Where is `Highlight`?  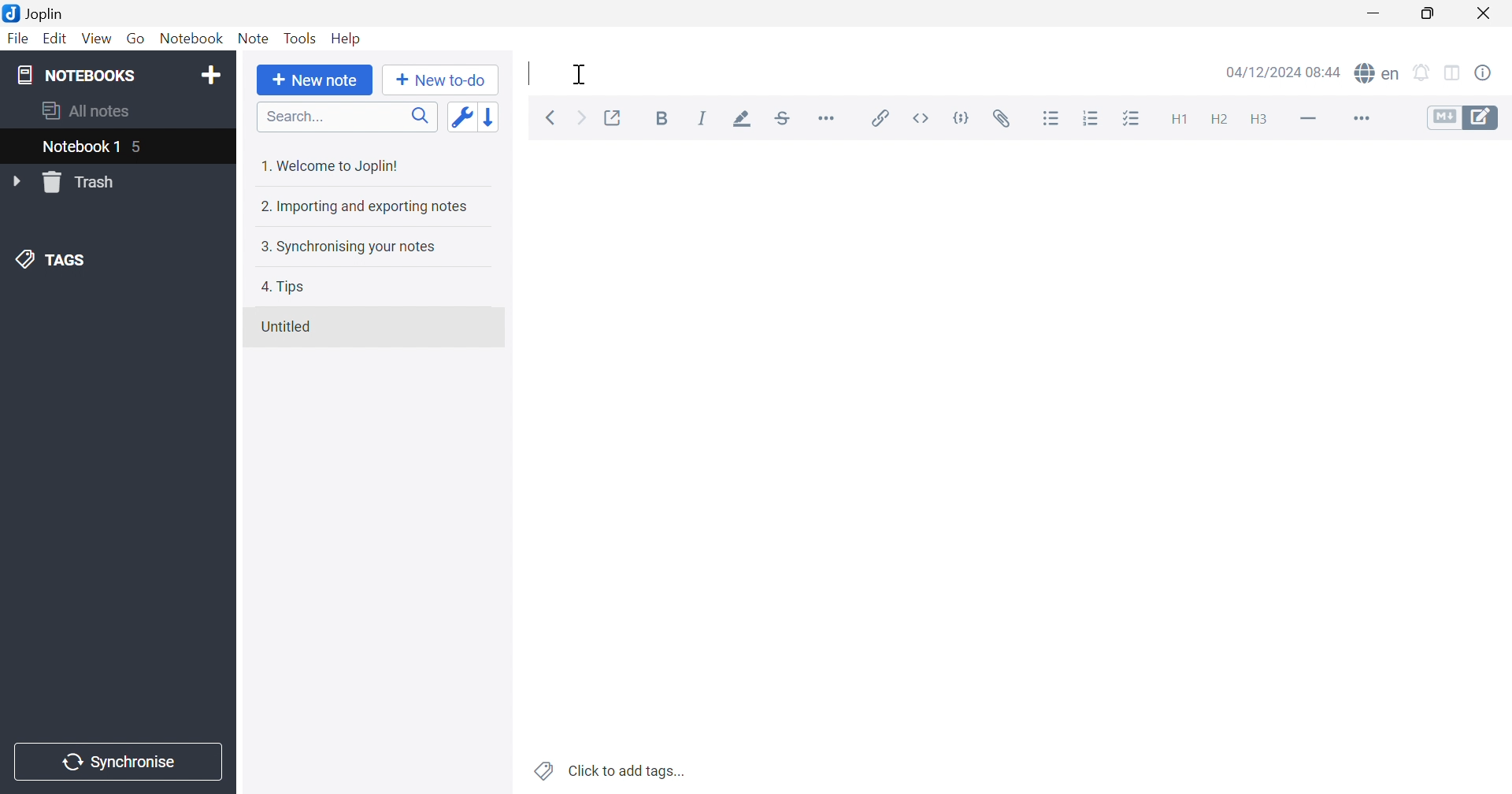
Highlight is located at coordinates (739, 117).